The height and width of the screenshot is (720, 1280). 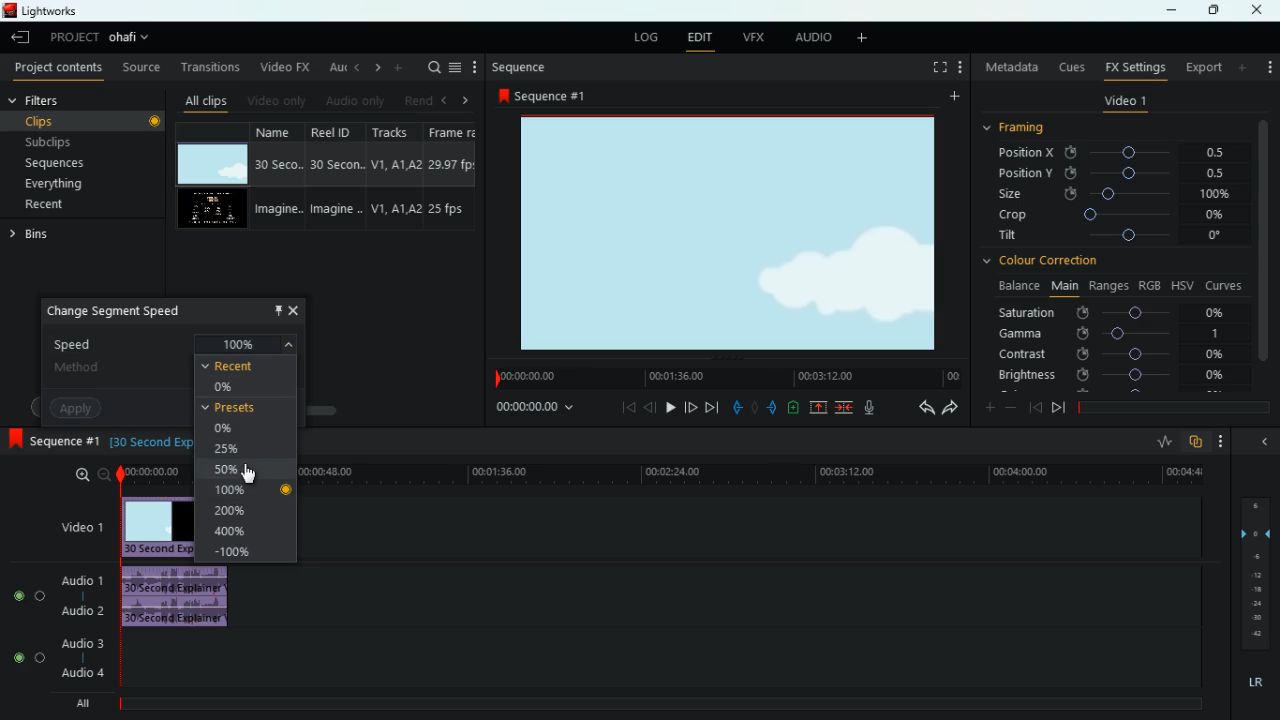 What do you see at coordinates (214, 164) in the screenshot?
I see `video` at bounding box center [214, 164].